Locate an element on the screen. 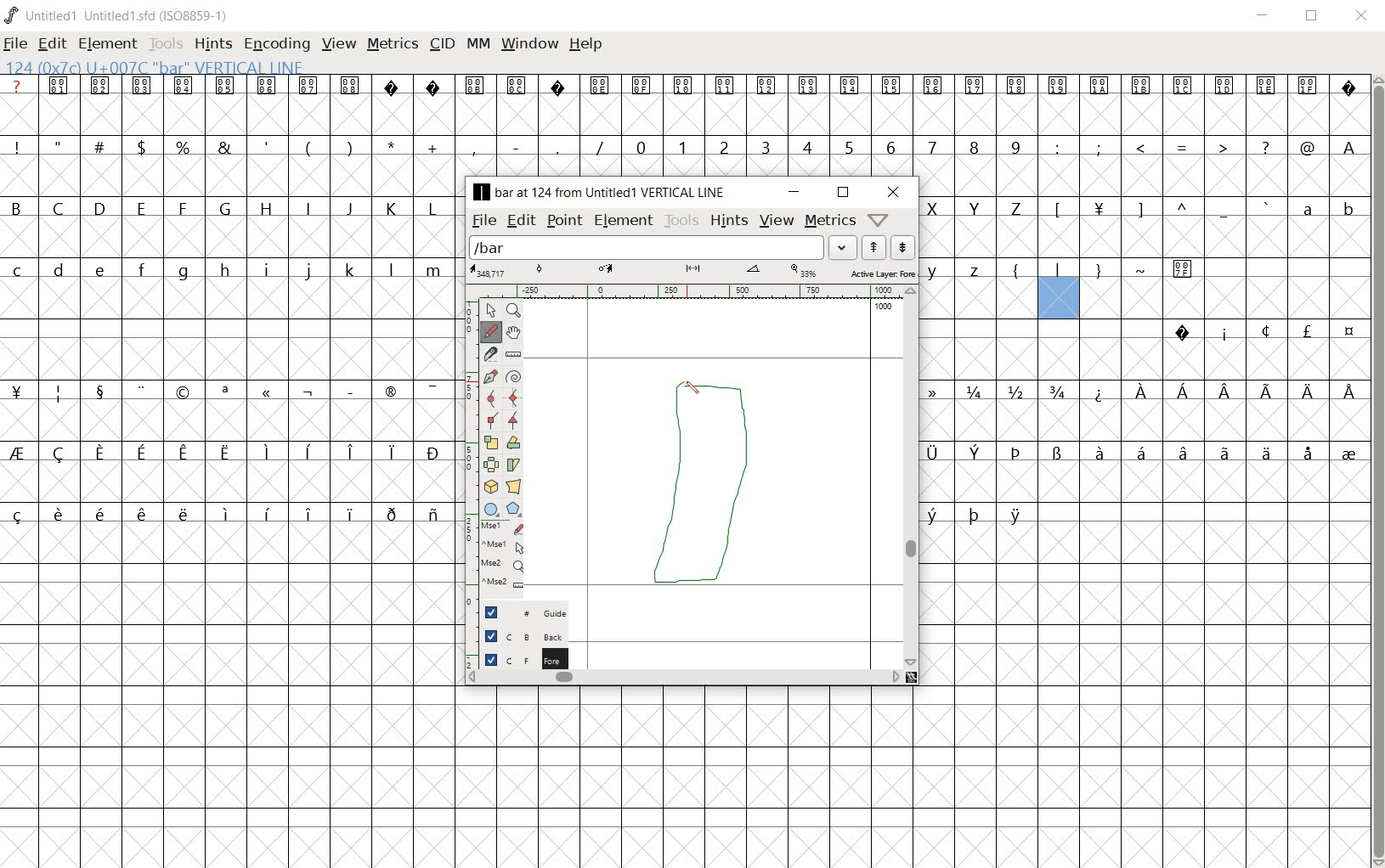 This screenshot has height=868, width=1385. empty cells is located at coordinates (229, 359).